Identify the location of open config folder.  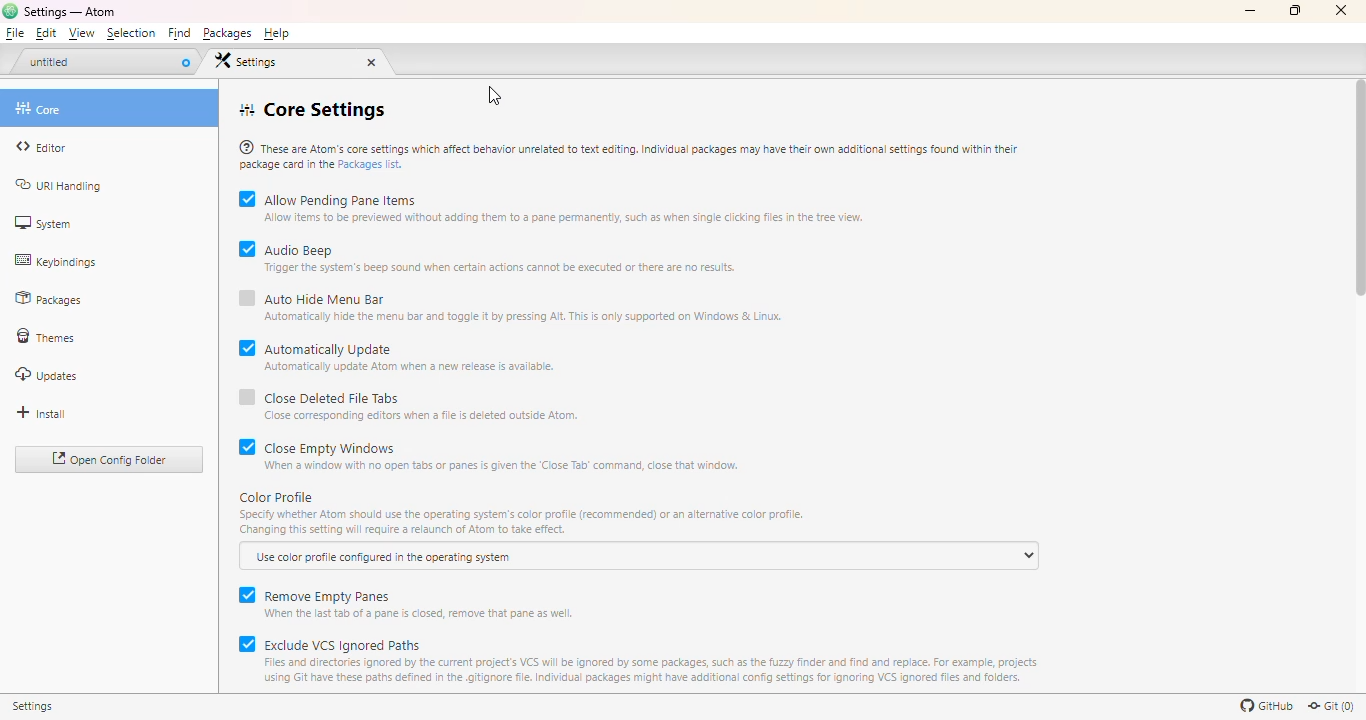
(111, 460).